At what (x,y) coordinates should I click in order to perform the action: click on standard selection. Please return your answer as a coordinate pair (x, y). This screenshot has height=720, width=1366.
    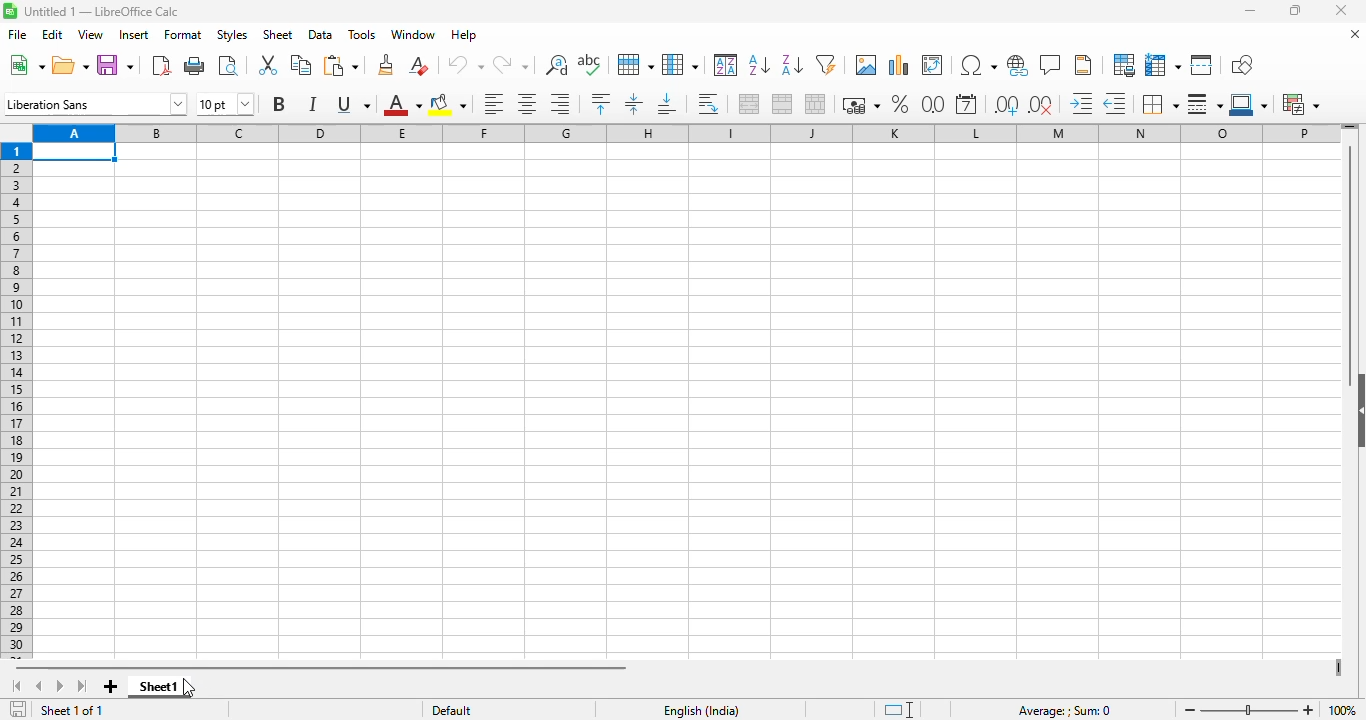
    Looking at the image, I should click on (899, 710).